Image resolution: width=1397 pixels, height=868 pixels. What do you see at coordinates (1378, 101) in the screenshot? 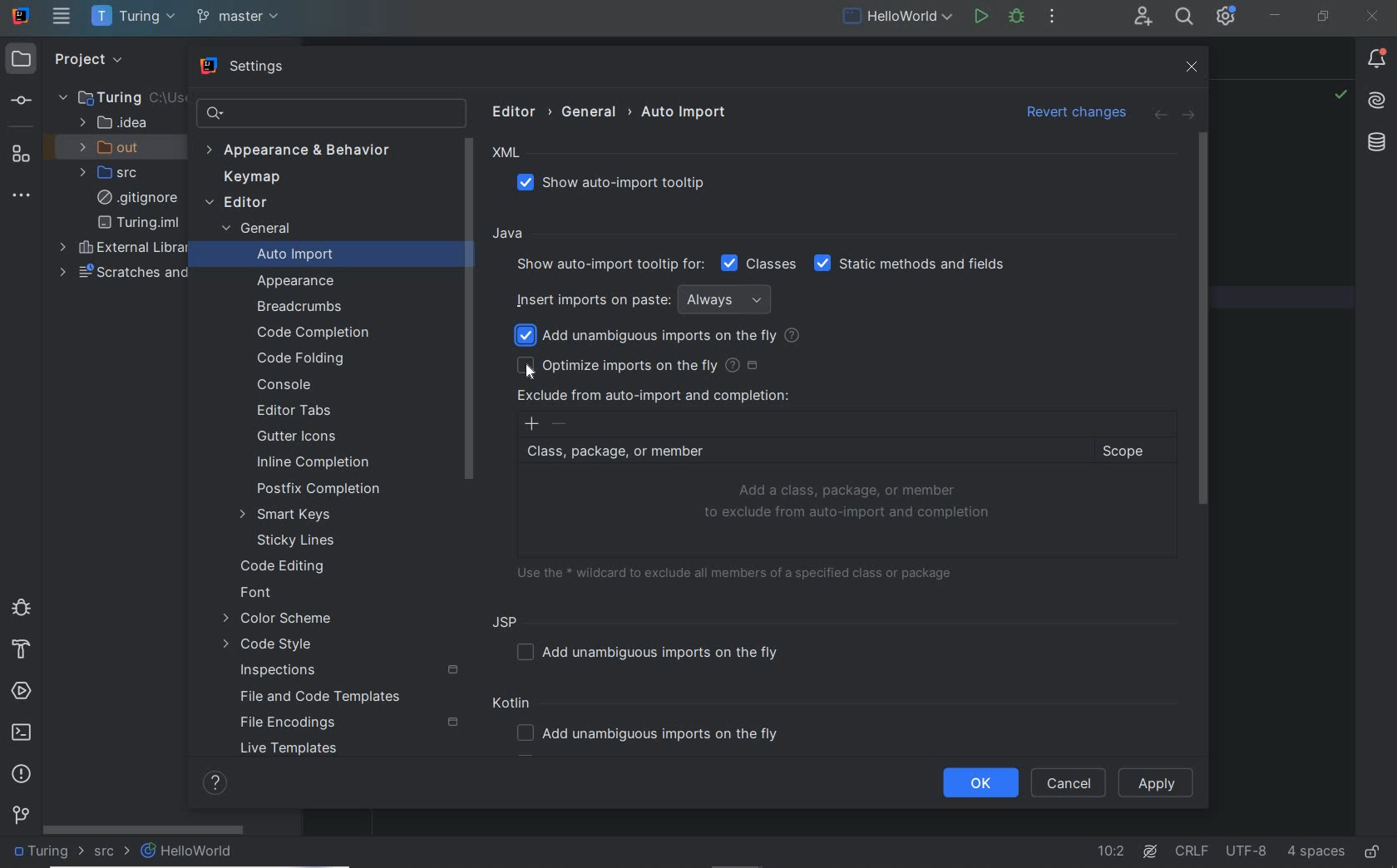
I see `AI Assistant` at bounding box center [1378, 101].